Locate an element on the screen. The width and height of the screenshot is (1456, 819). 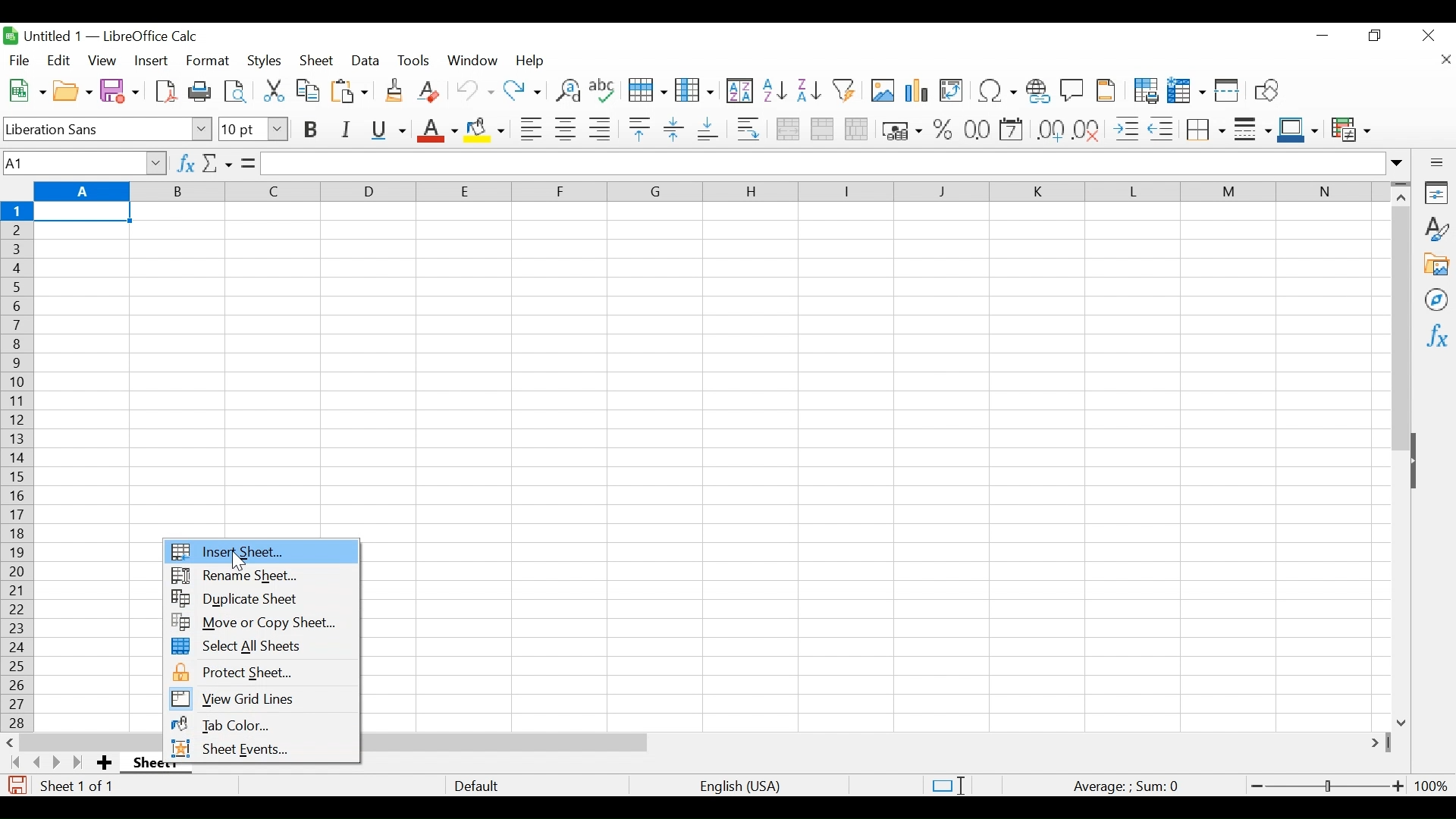
Insert is located at coordinates (152, 60).